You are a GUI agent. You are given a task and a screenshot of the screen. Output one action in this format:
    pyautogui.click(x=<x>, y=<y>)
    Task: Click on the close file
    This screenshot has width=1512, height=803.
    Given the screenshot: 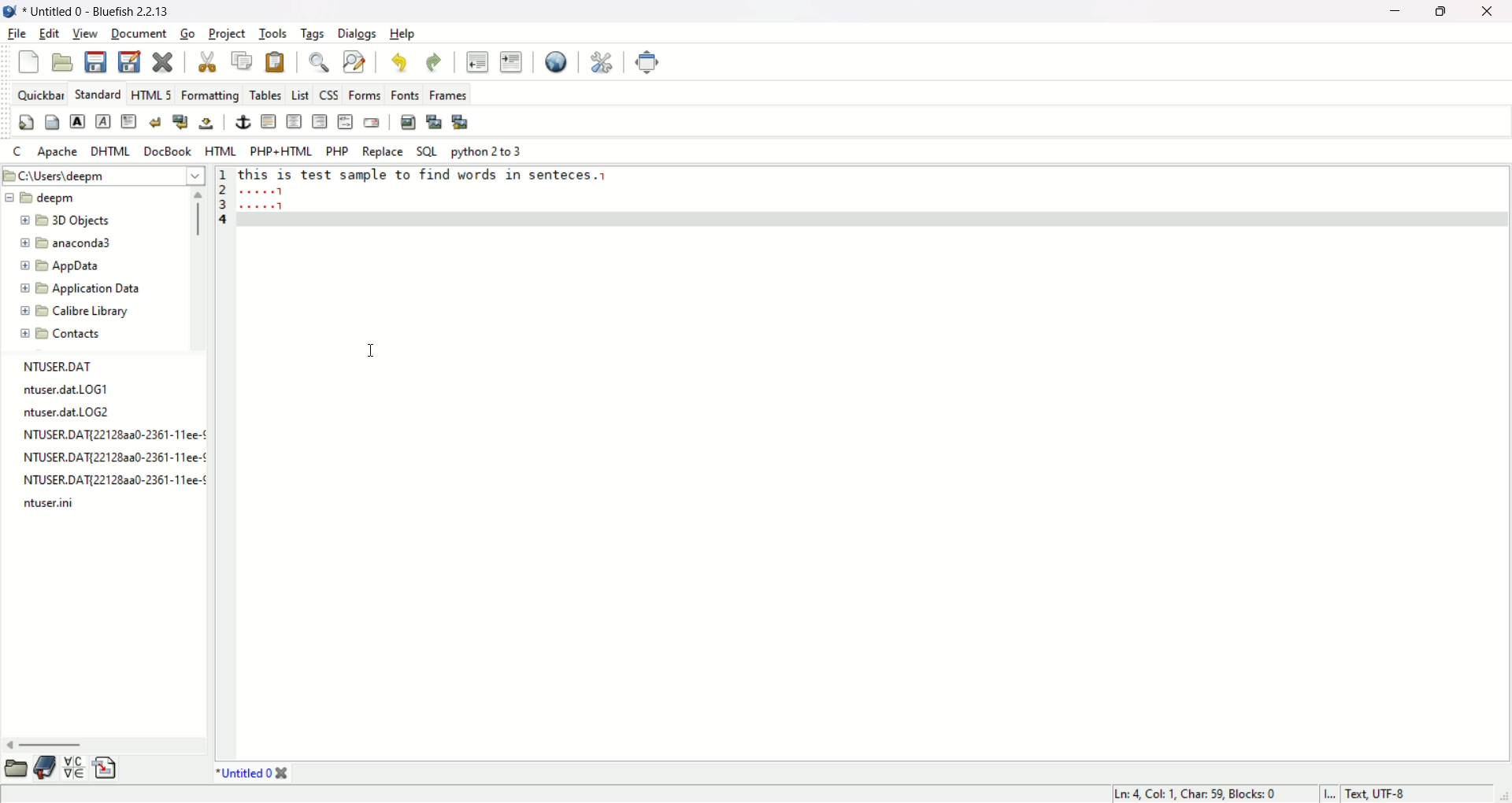 What is the action you would take?
    pyautogui.click(x=162, y=61)
    